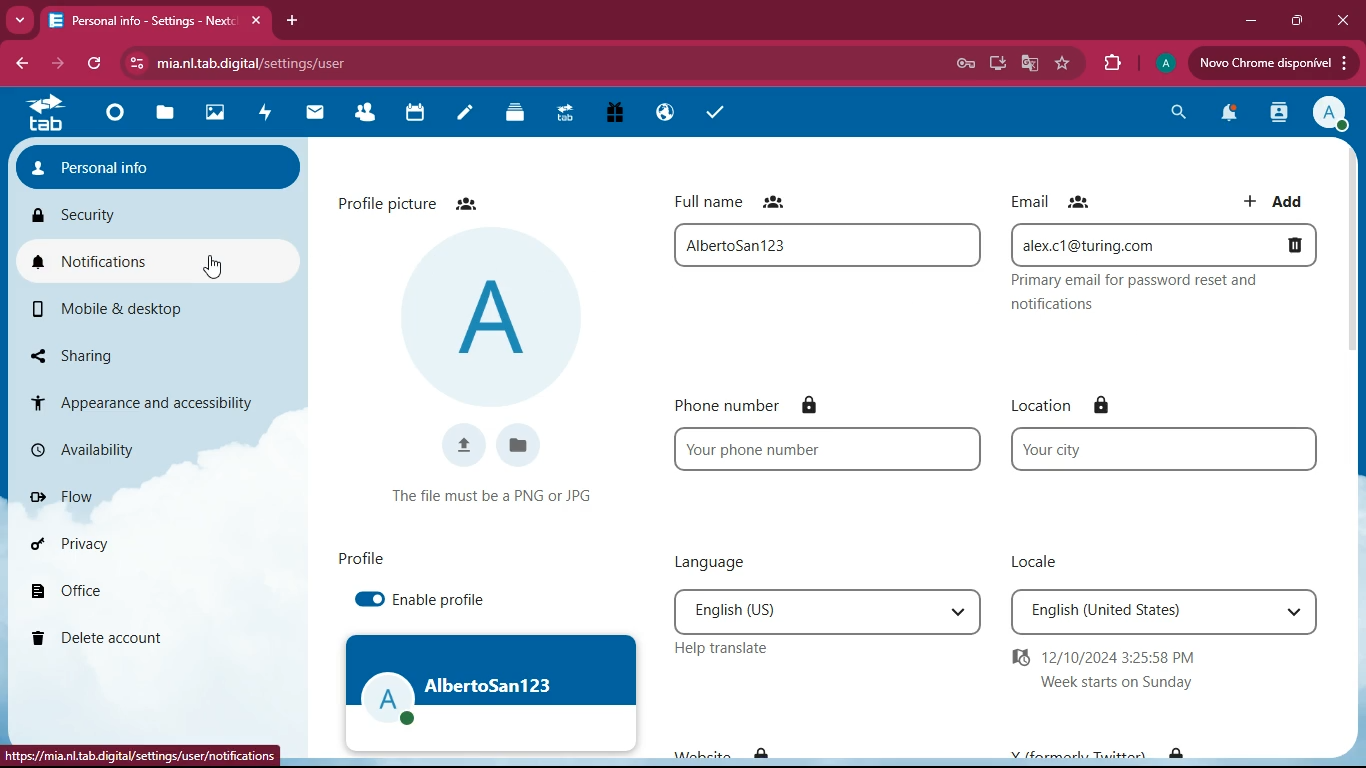 The image size is (1366, 768). What do you see at coordinates (143, 496) in the screenshot?
I see `flow` at bounding box center [143, 496].